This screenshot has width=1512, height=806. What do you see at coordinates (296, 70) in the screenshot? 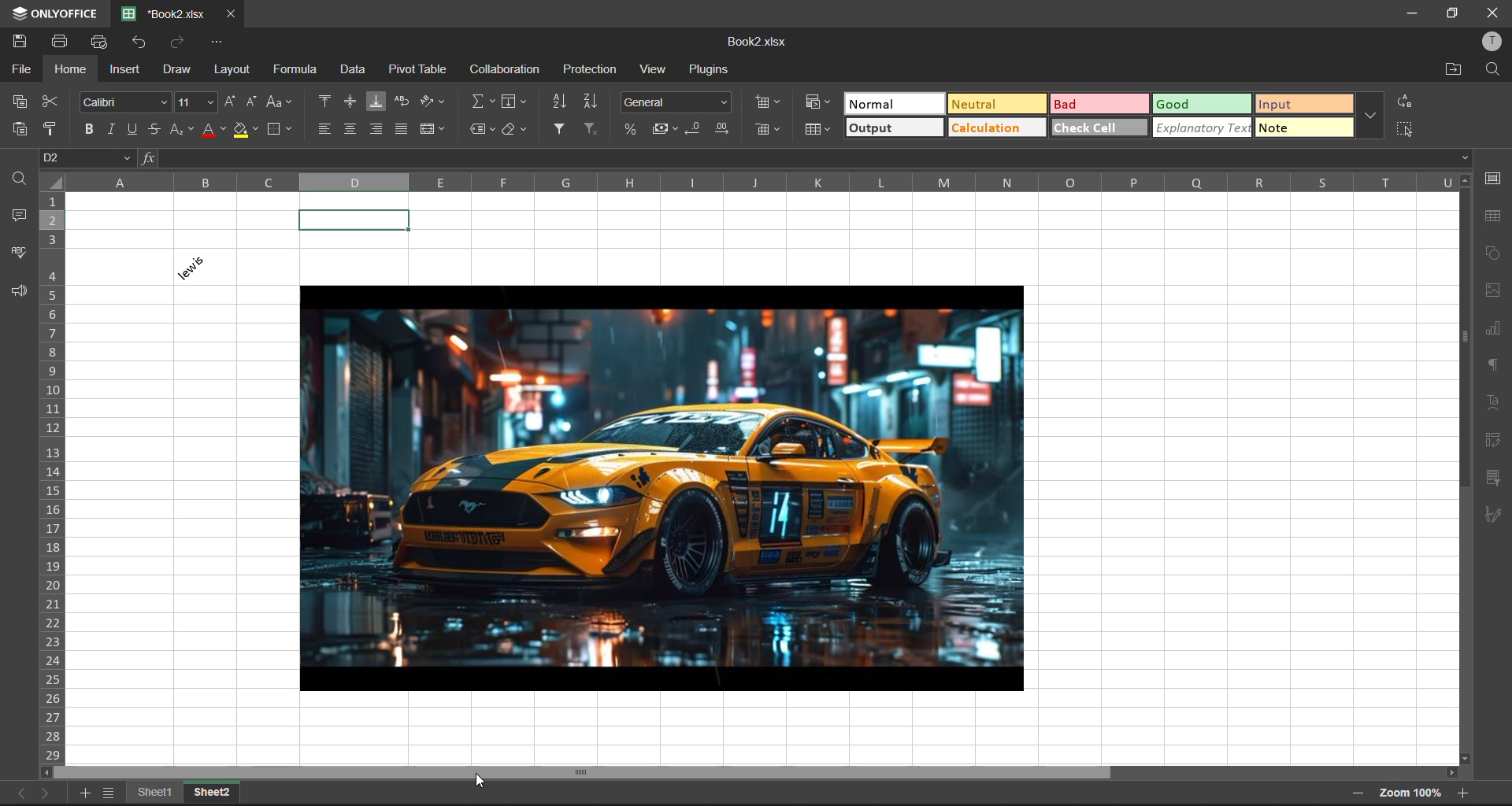
I see `formula` at bounding box center [296, 70].